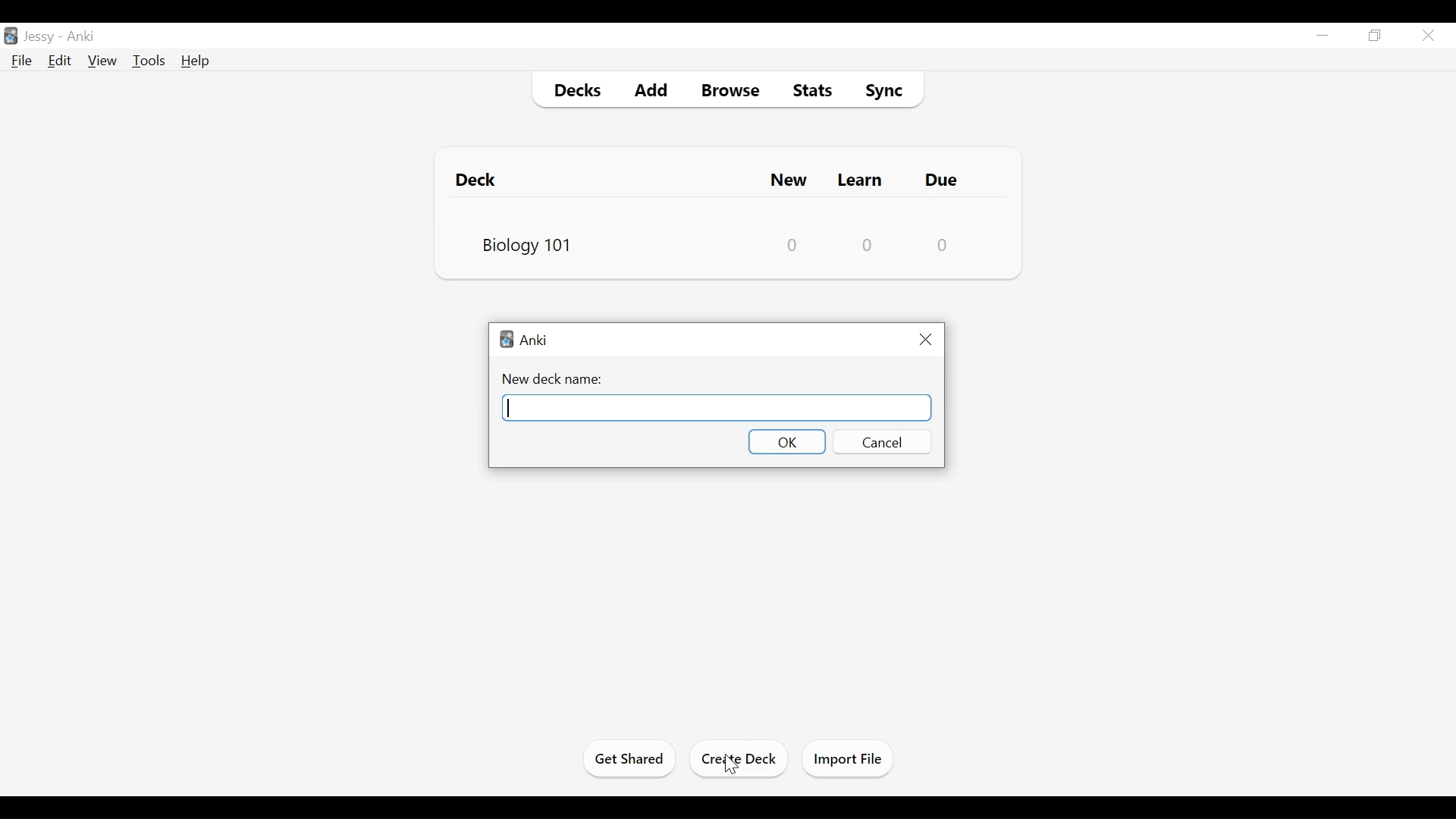  What do you see at coordinates (61, 61) in the screenshot?
I see `Edit` at bounding box center [61, 61].